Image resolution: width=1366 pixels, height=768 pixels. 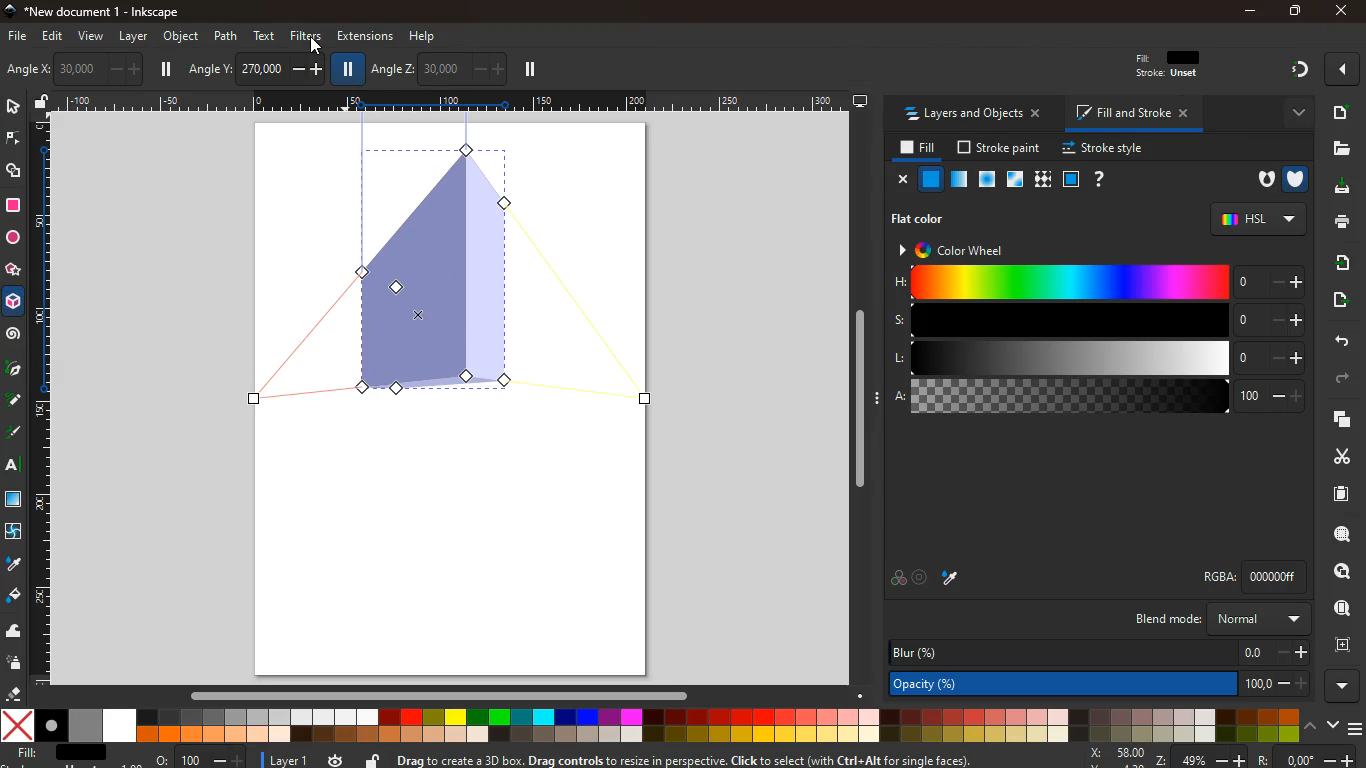 I want to click on zoom, so click(x=1124, y=756).